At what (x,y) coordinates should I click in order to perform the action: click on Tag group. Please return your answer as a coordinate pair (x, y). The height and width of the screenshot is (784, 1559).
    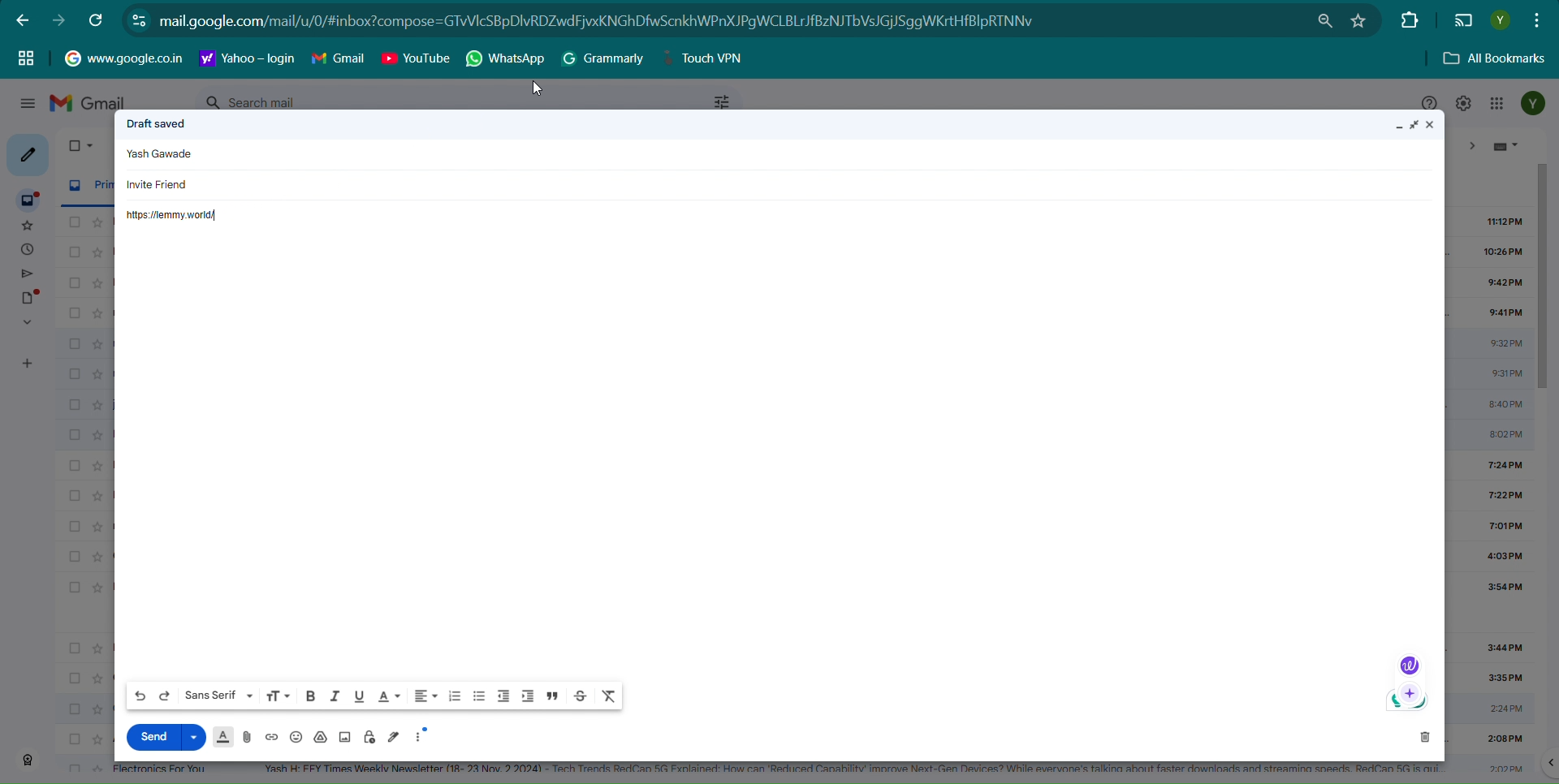
    Looking at the image, I should click on (26, 57).